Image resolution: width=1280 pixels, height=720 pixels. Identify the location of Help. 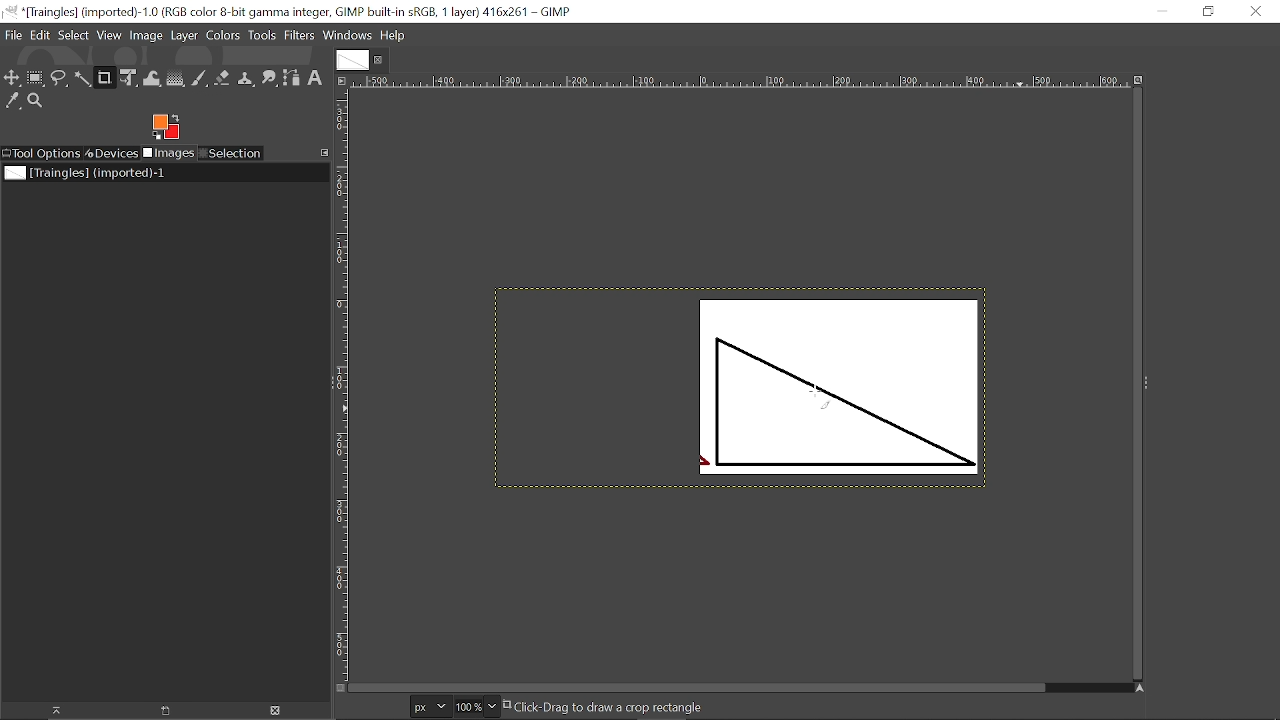
(392, 35).